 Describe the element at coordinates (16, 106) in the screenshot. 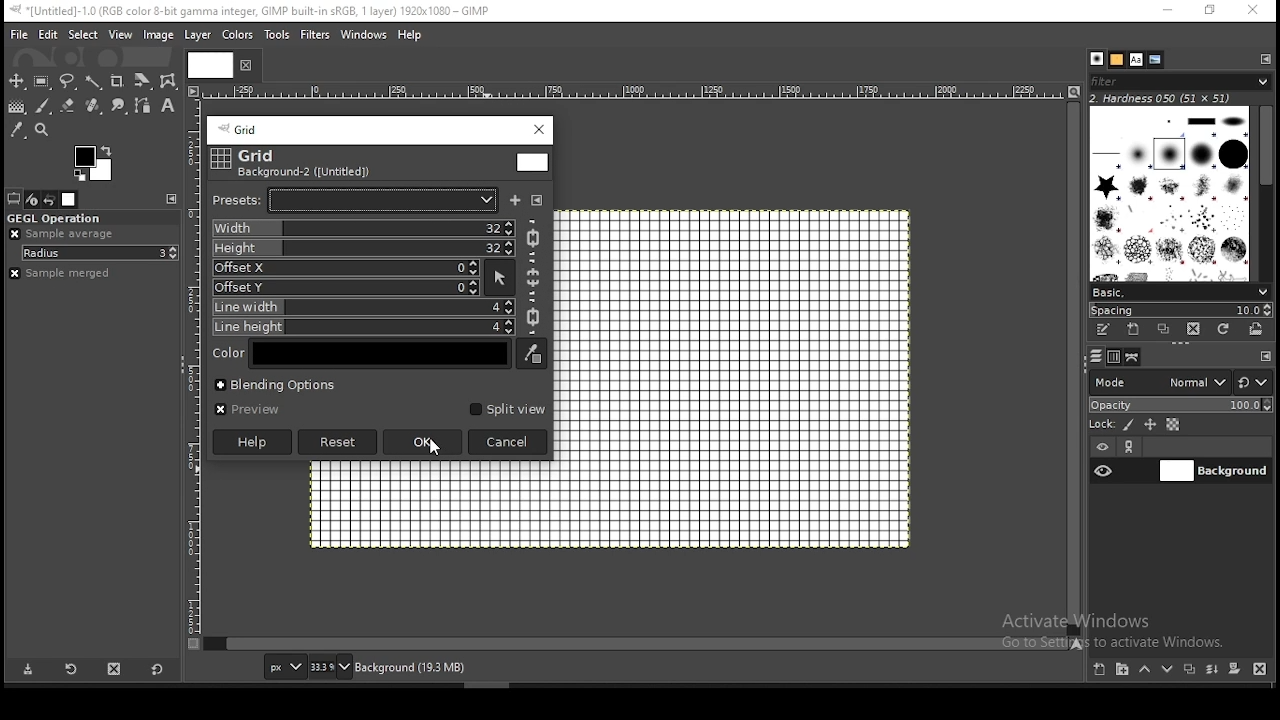

I see `gradient tool` at that location.